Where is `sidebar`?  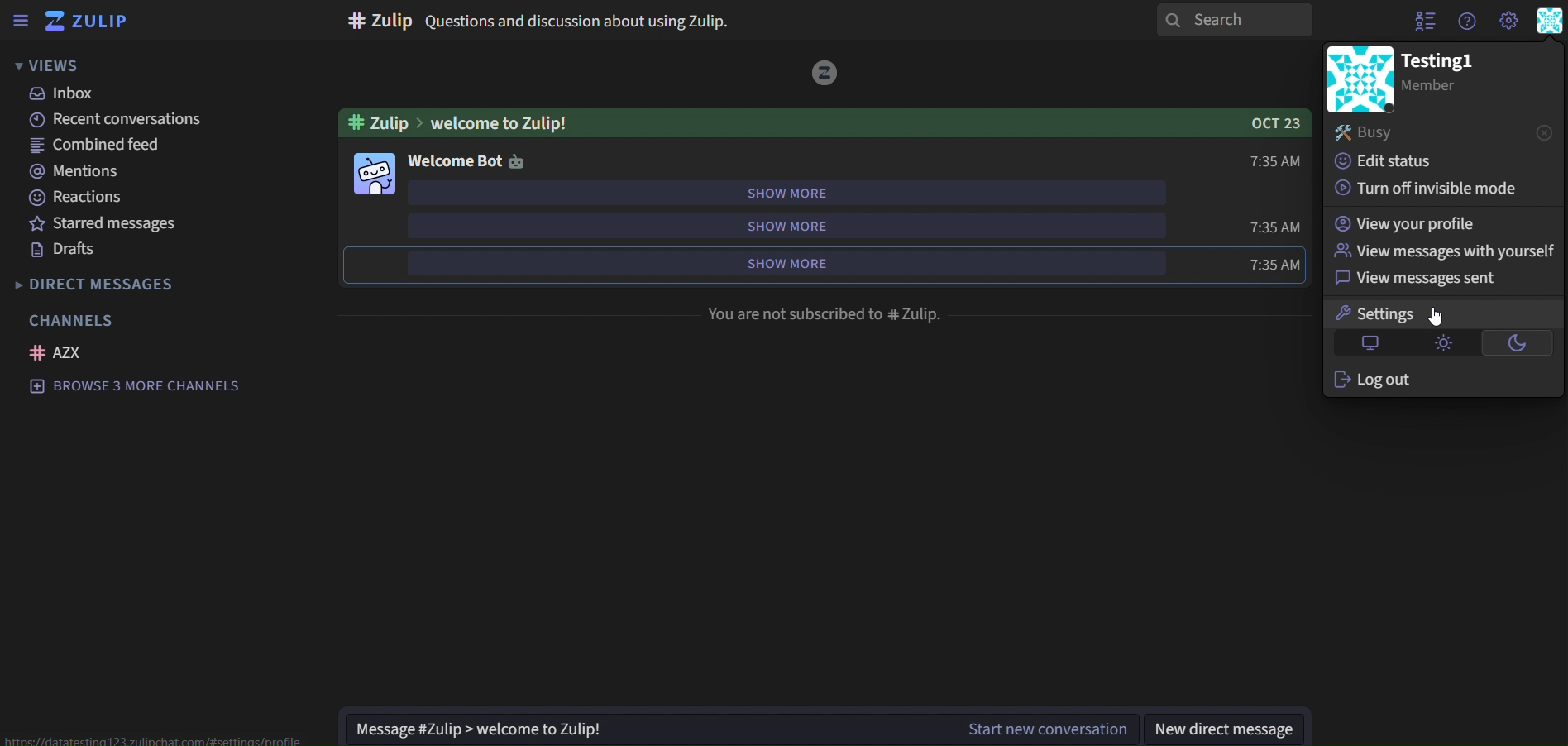
sidebar is located at coordinates (20, 18).